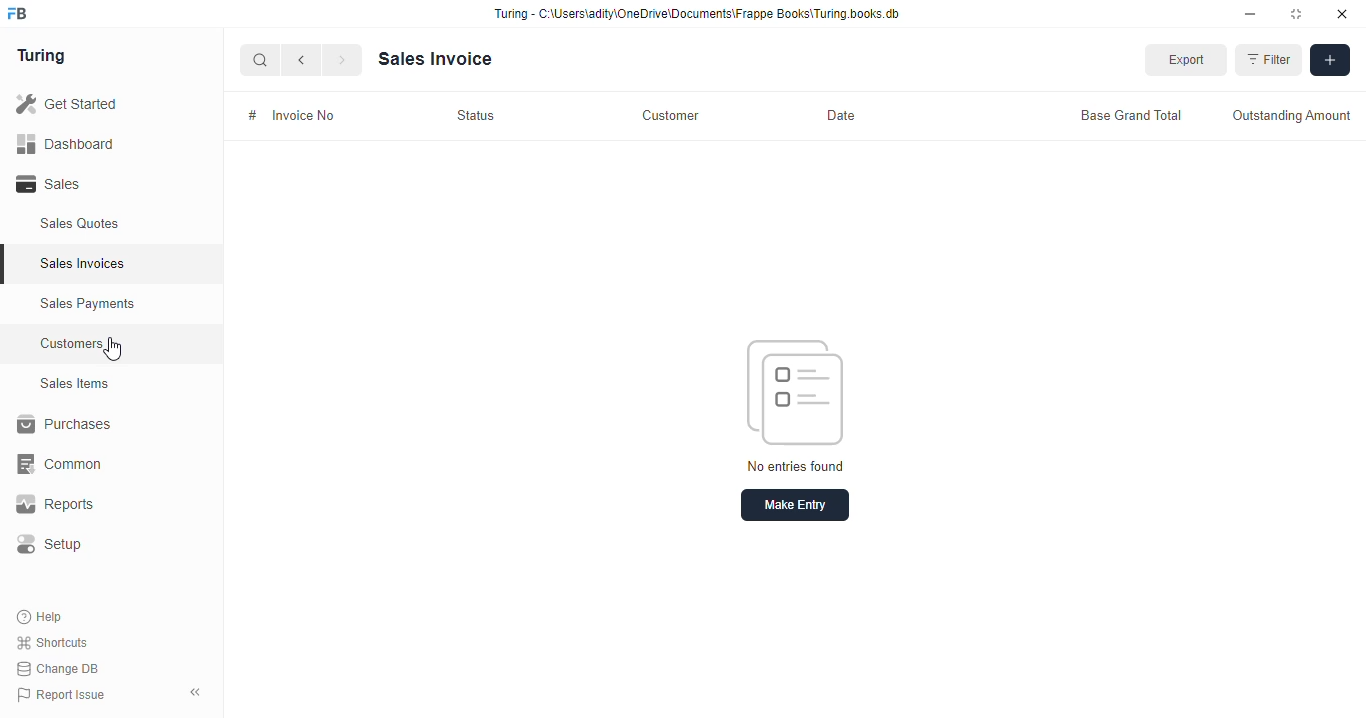 Image resolution: width=1366 pixels, height=718 pixels. Describe the element at coordinates (1123, 113) in the screenshot. I see `Base Grand Total` at that location.